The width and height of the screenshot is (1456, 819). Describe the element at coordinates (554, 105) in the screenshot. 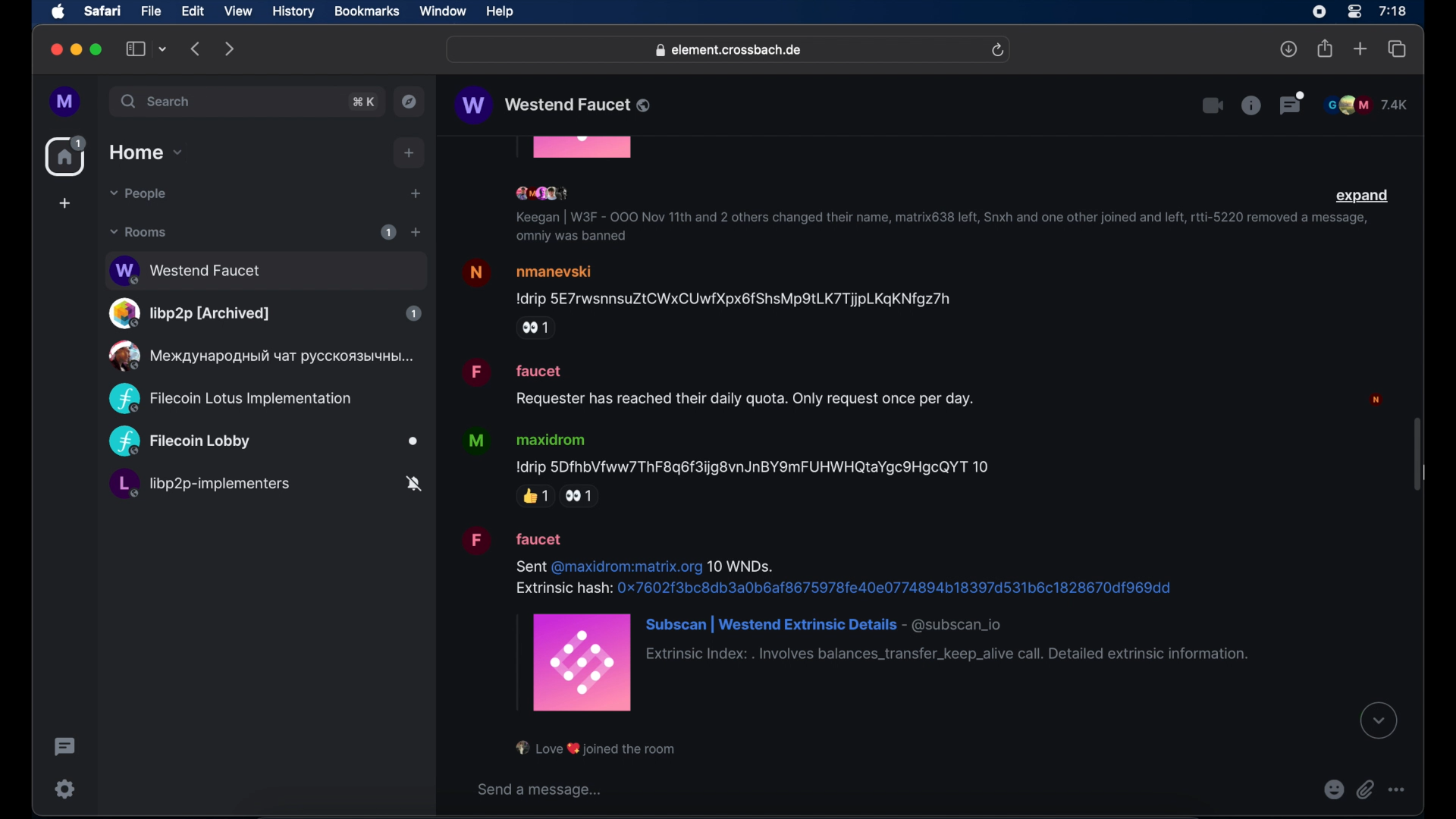

I see `public room name` at that location.